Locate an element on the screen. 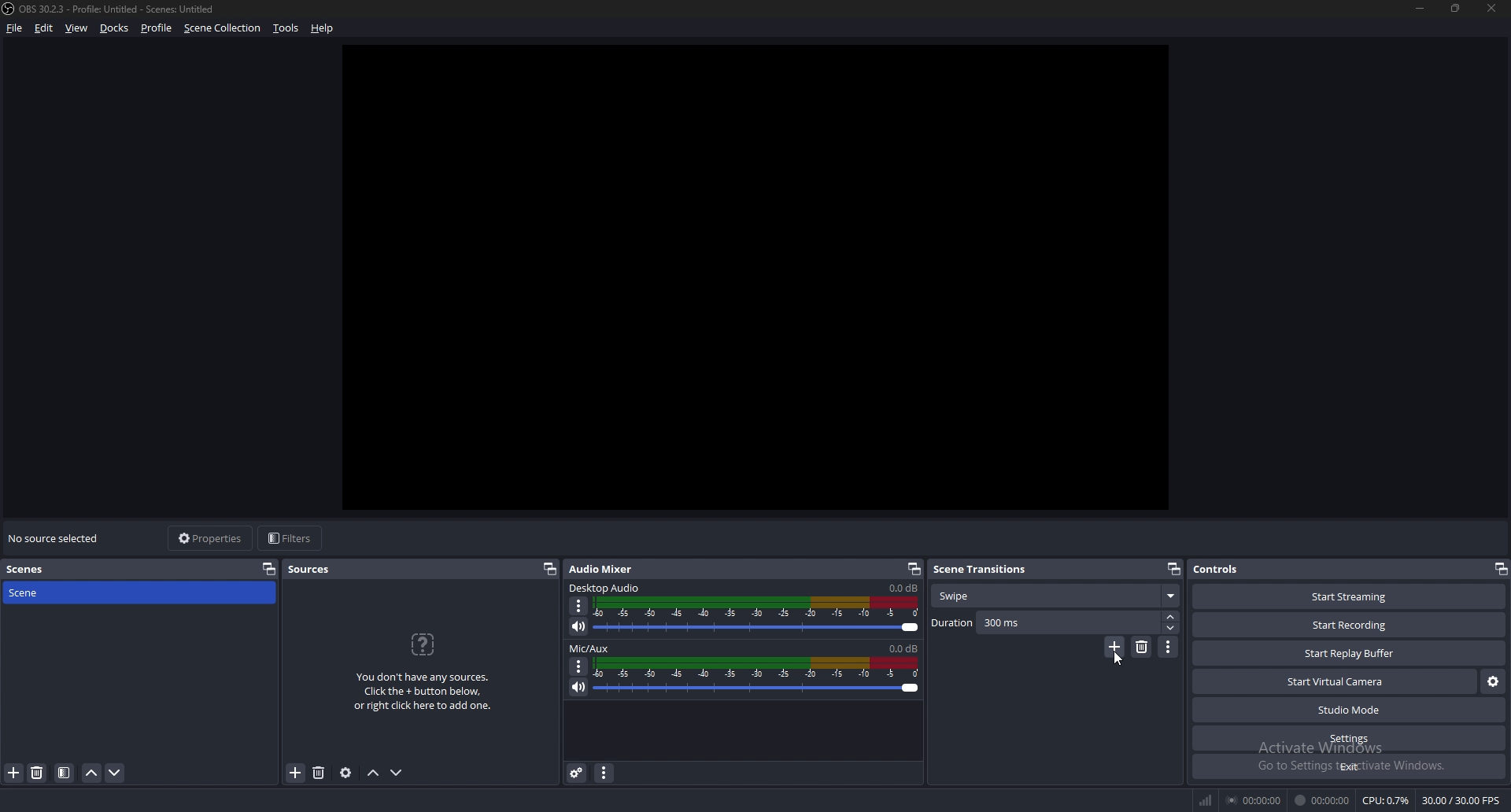 The width and height of the screenshot is (1511, 812). mute is located at coordinates (578, 688).